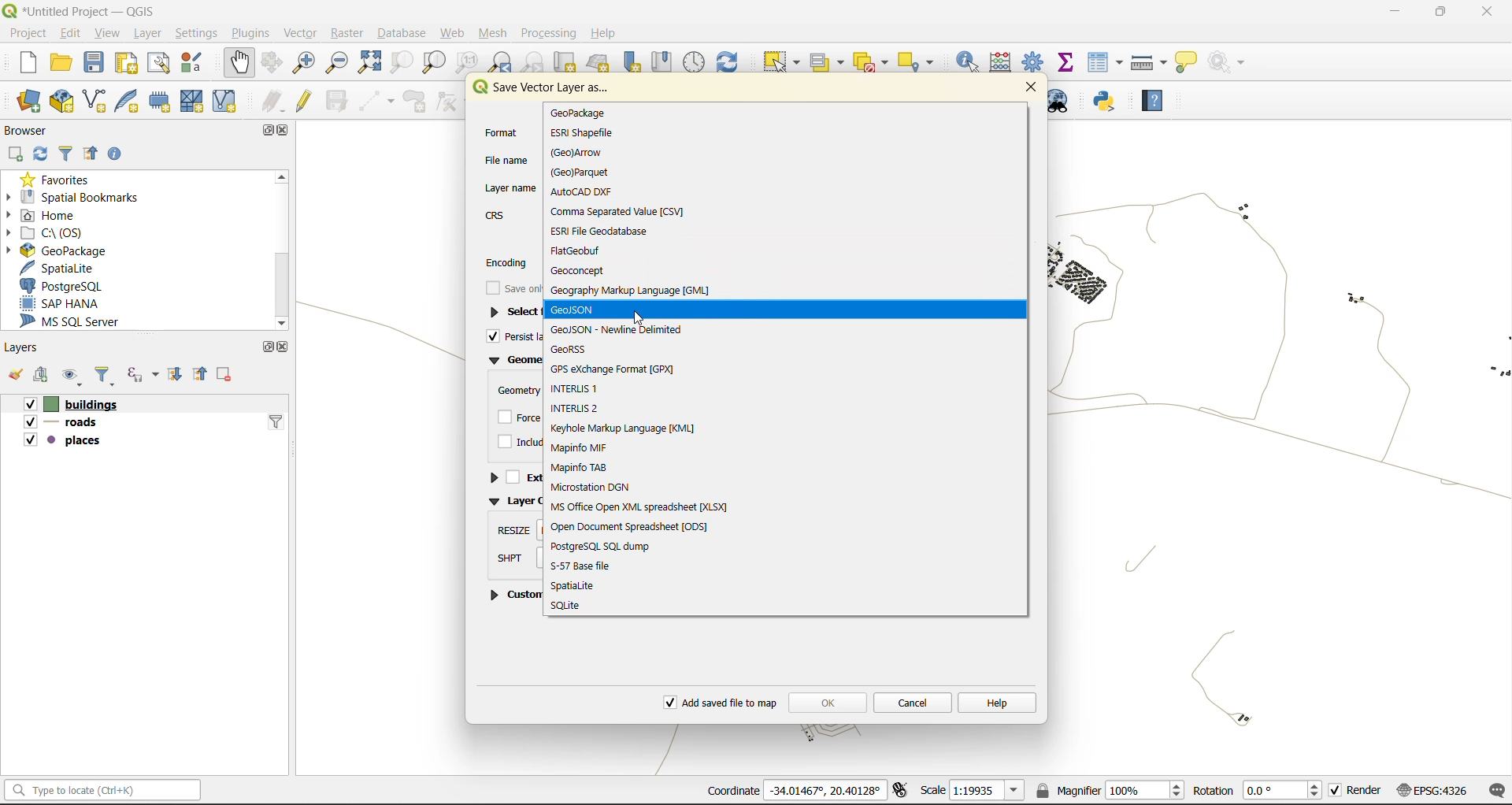  What do you see at coordinates (600, 65) in the screenshot?
I see `new 3d map view` at bounding box center [600, 65].